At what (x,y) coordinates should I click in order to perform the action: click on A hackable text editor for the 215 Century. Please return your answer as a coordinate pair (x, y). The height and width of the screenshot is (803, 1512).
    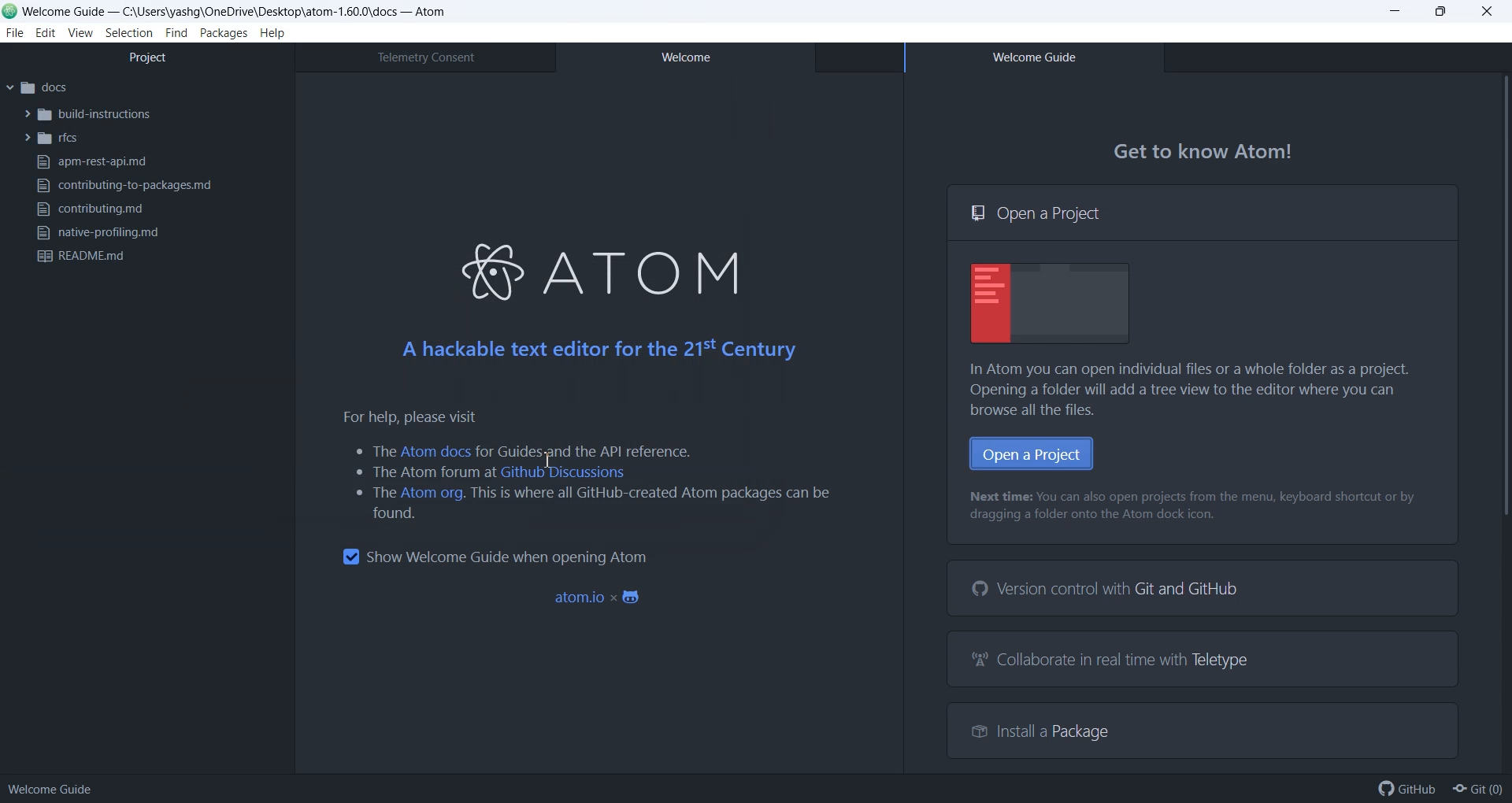
    Looking at the image, I should click on (598, 349).